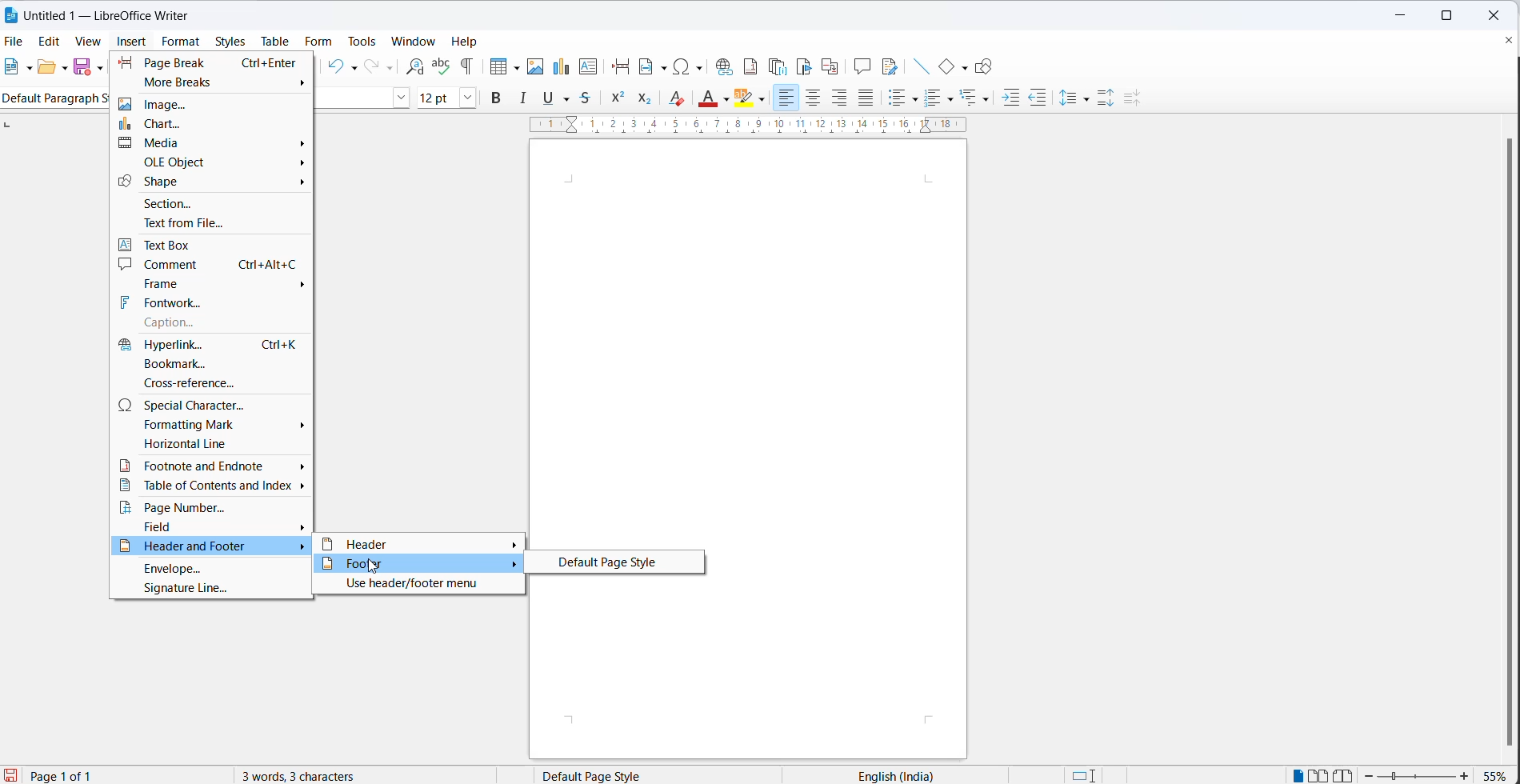 This screenshot has width=1520, height=784. What do you see at coordinates (726, 67) in the screenshot?
I see `insert hyperlinks` at bounding box center [726, 67].